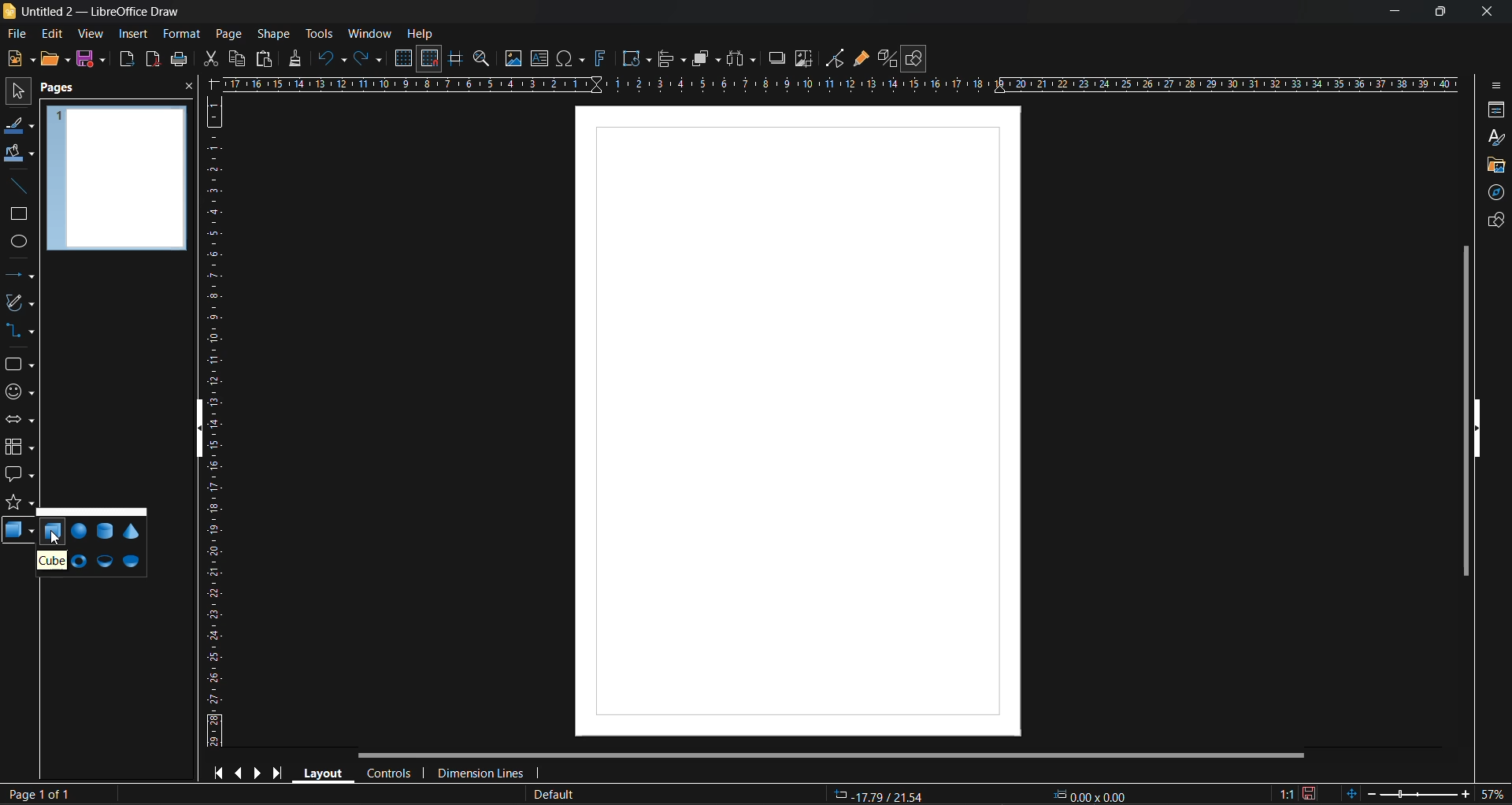 Image resolution: width=1512 pixels, height=805 pixels. What do you see at coordinates (104, 532) in the screenshot?
I see `cylinder` at bounding box center [104, 532].